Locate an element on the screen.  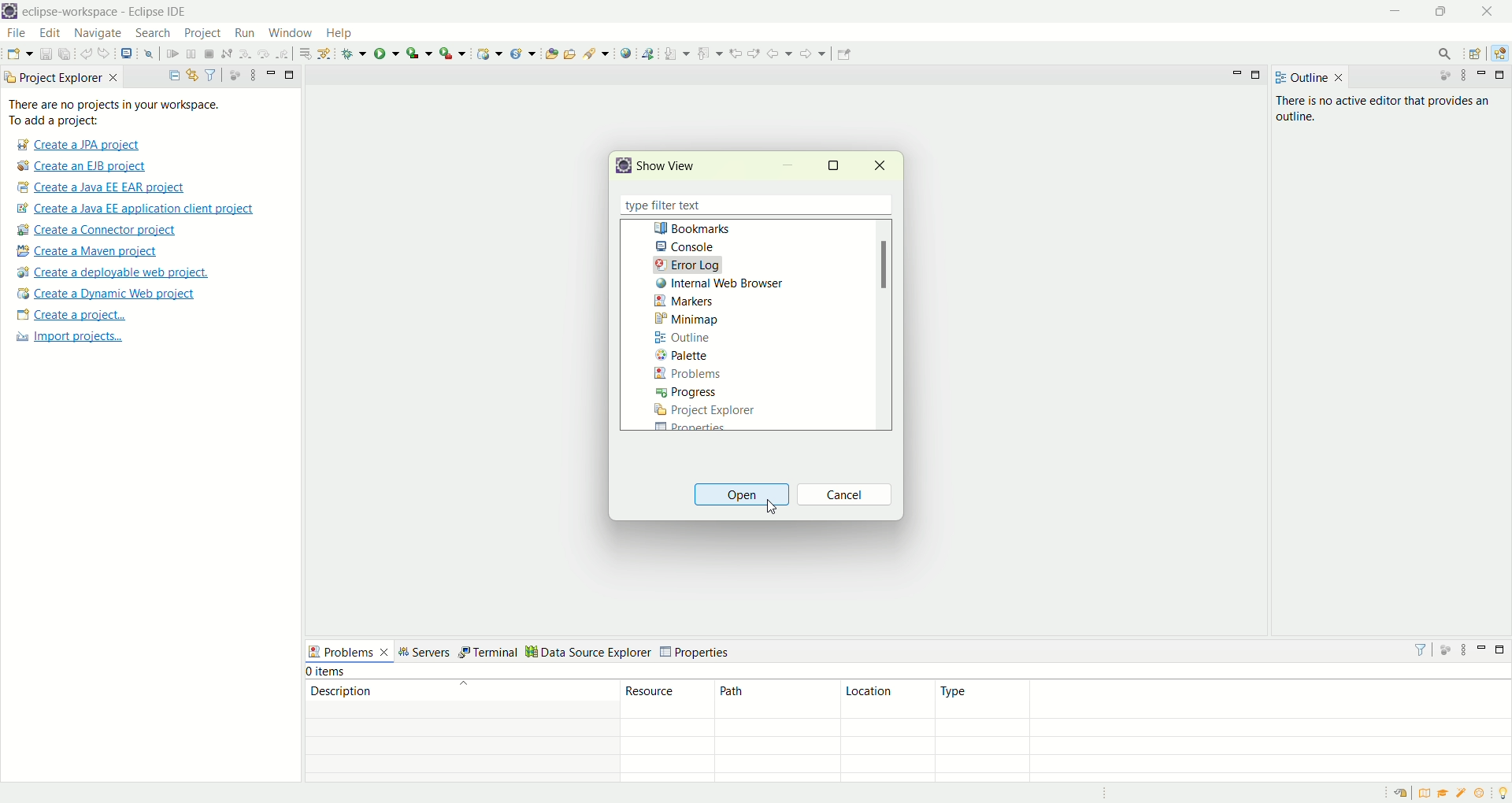
maximize is located at coordinates (290, 73).